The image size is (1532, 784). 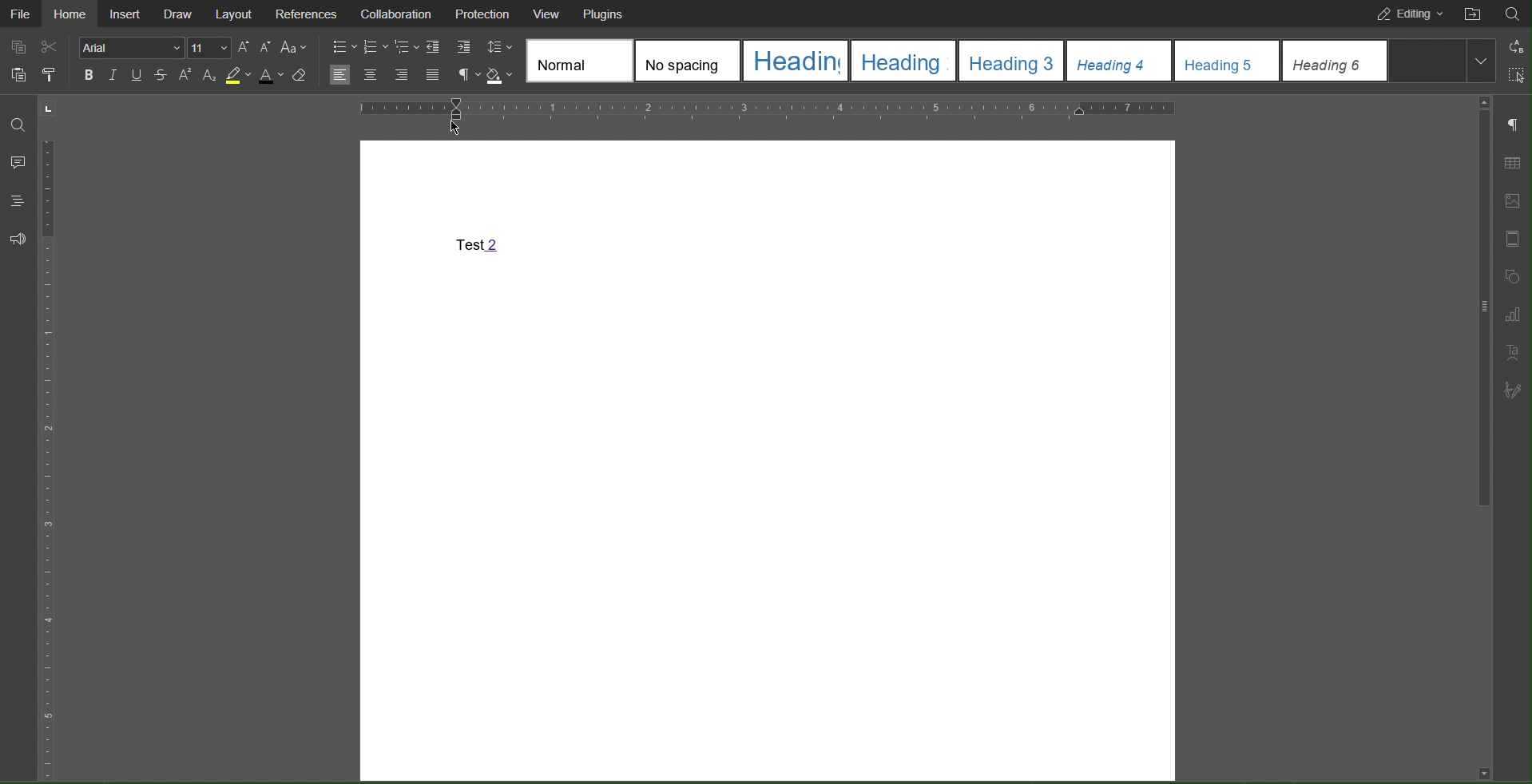 What do you see at coordinates (15, 123) in the screenshot?
I see `Search` at bounding box center [15, 123].